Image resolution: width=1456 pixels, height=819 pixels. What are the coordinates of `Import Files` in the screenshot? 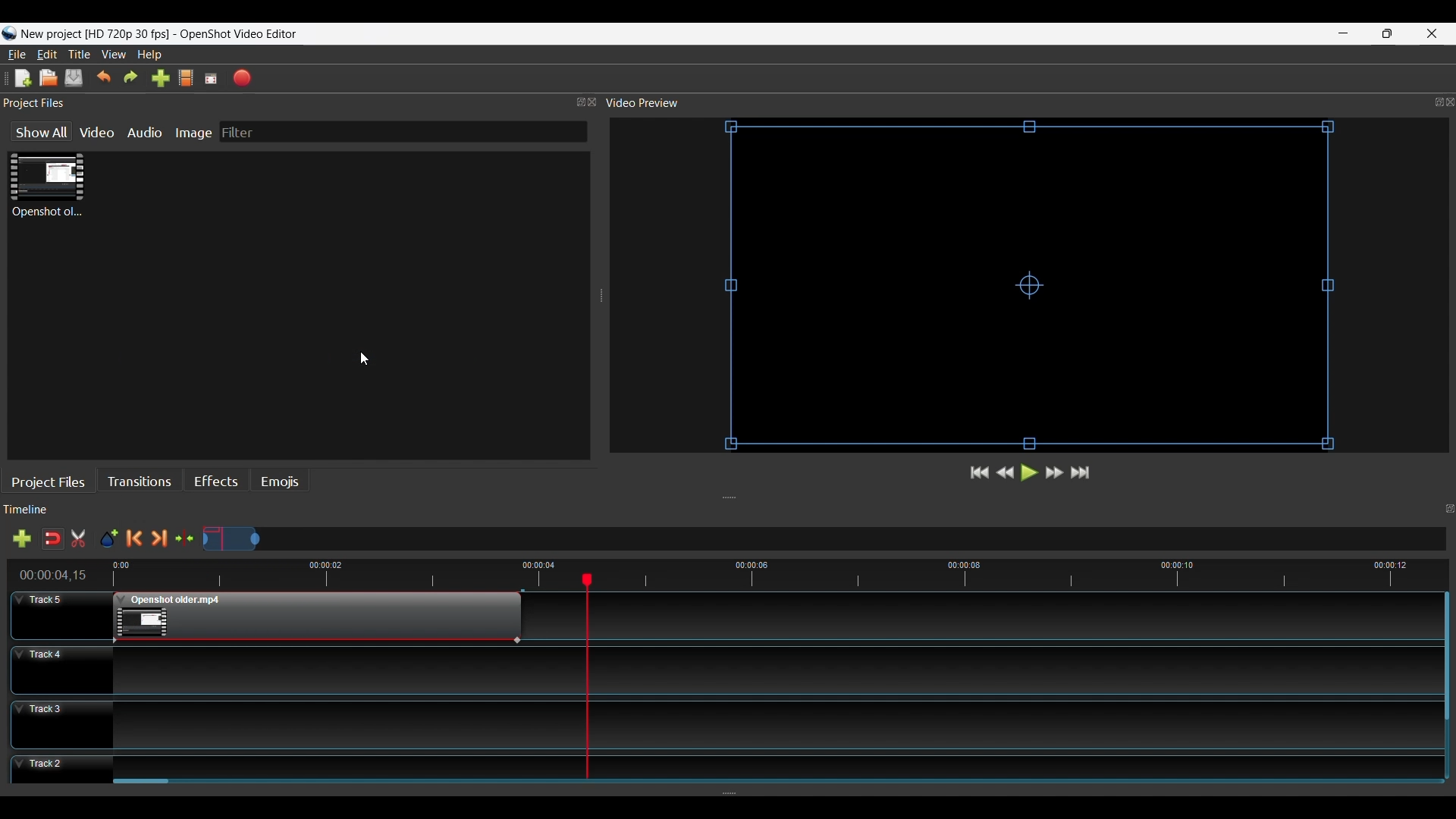 It's located at (160, 80).